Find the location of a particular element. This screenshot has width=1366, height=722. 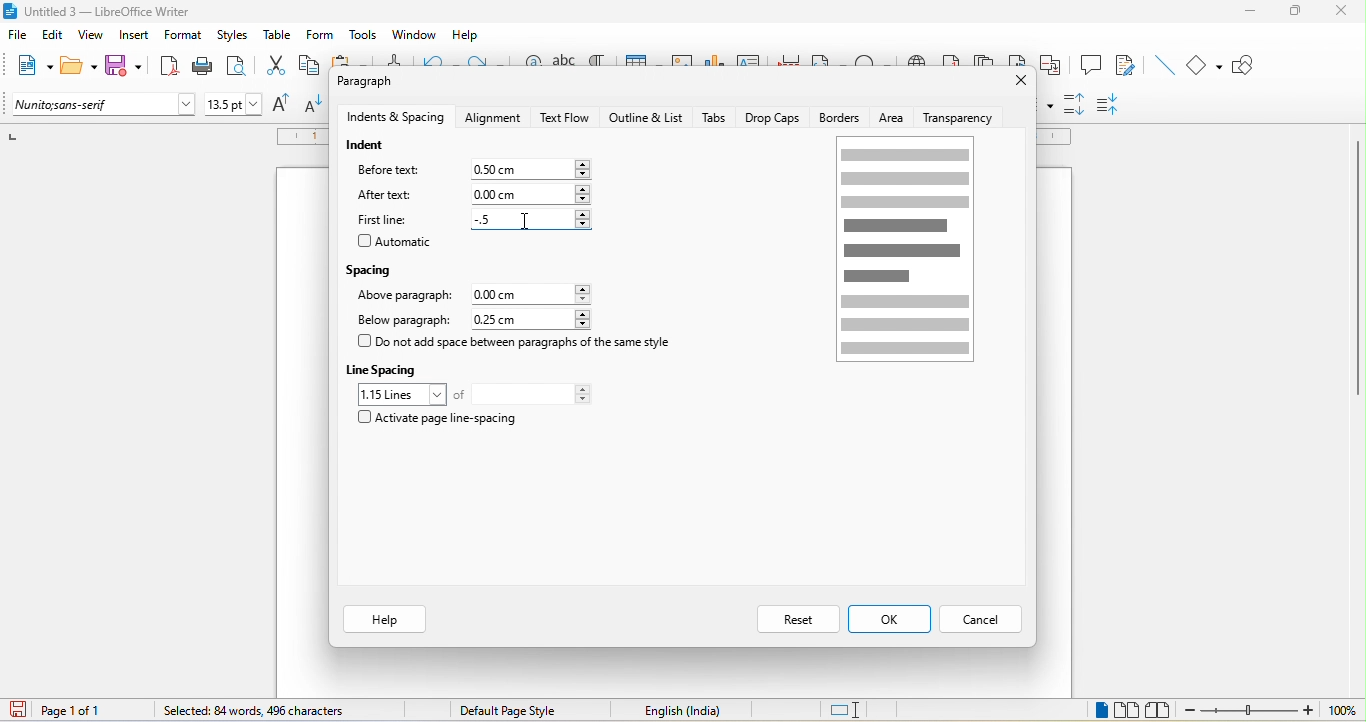

84 words, 496 characters is located at coordinates (251, 712).